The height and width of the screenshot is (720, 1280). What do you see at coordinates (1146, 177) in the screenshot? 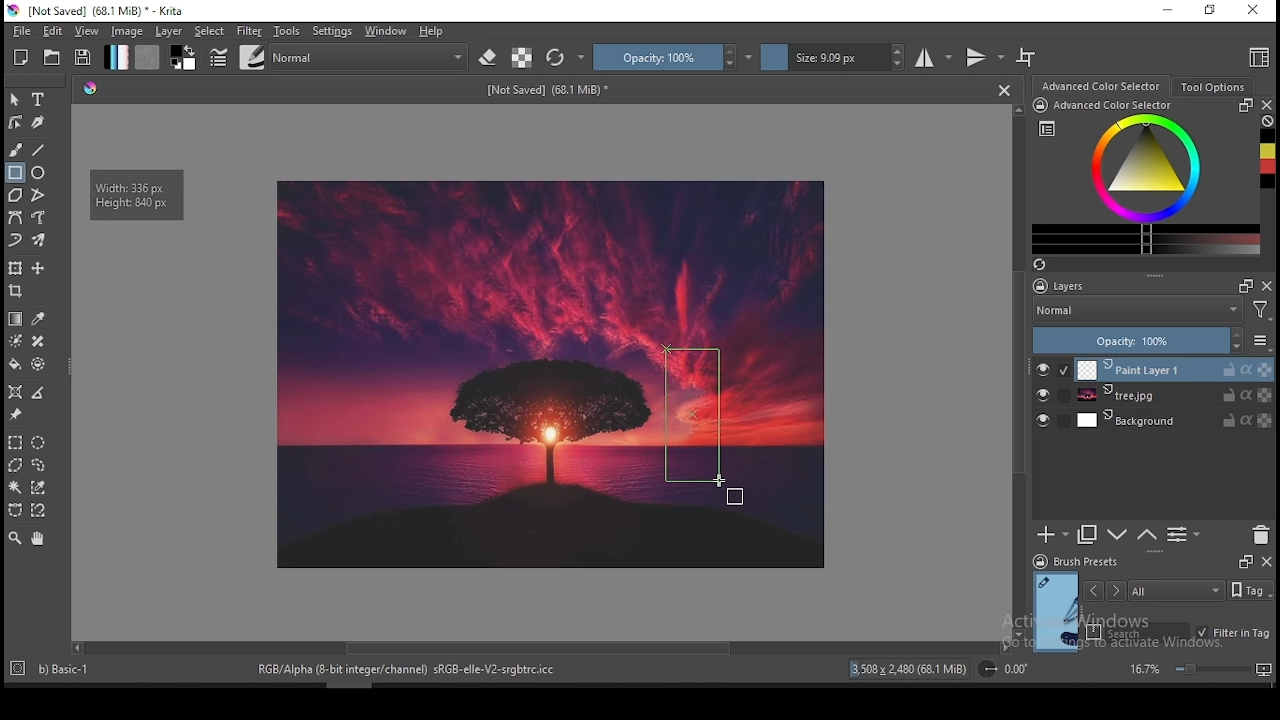
I see `advanced color selector` at bounding box center [1146, 177].